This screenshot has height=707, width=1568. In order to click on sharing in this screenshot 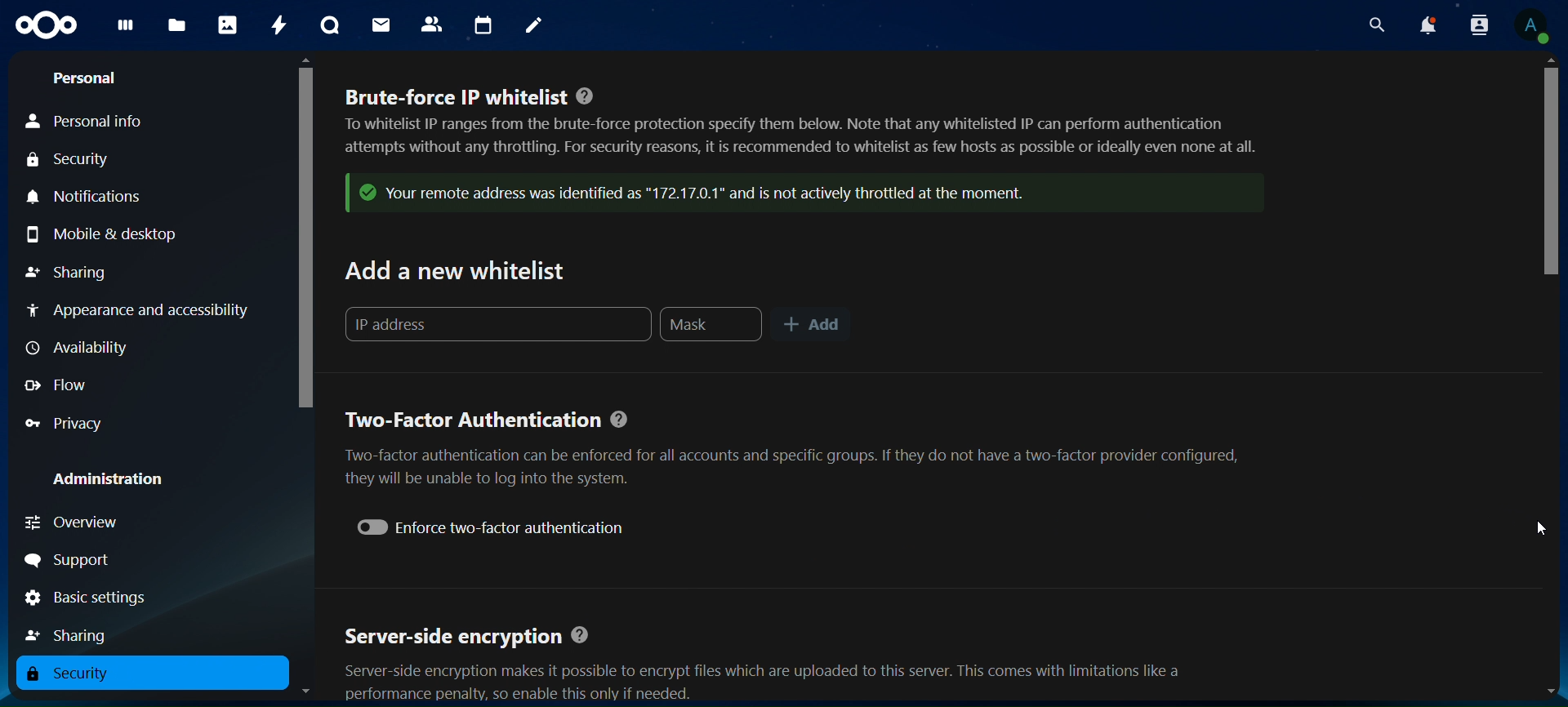, I will do `click(69, 269)`.